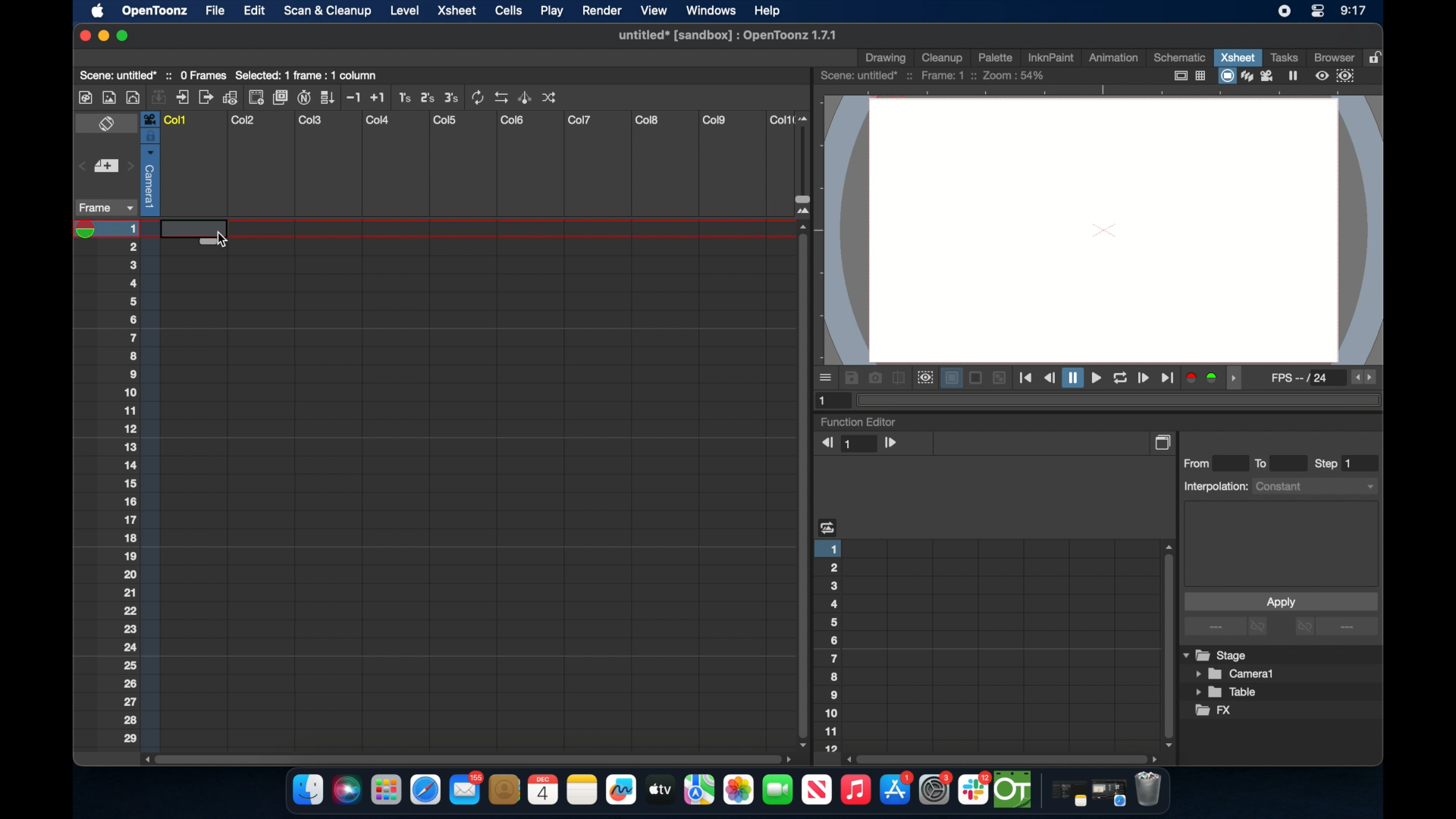 The image size is (1456, 819). Describe the element at coordinates (149, 163) in the screenshot. I see `column selected` at that location.